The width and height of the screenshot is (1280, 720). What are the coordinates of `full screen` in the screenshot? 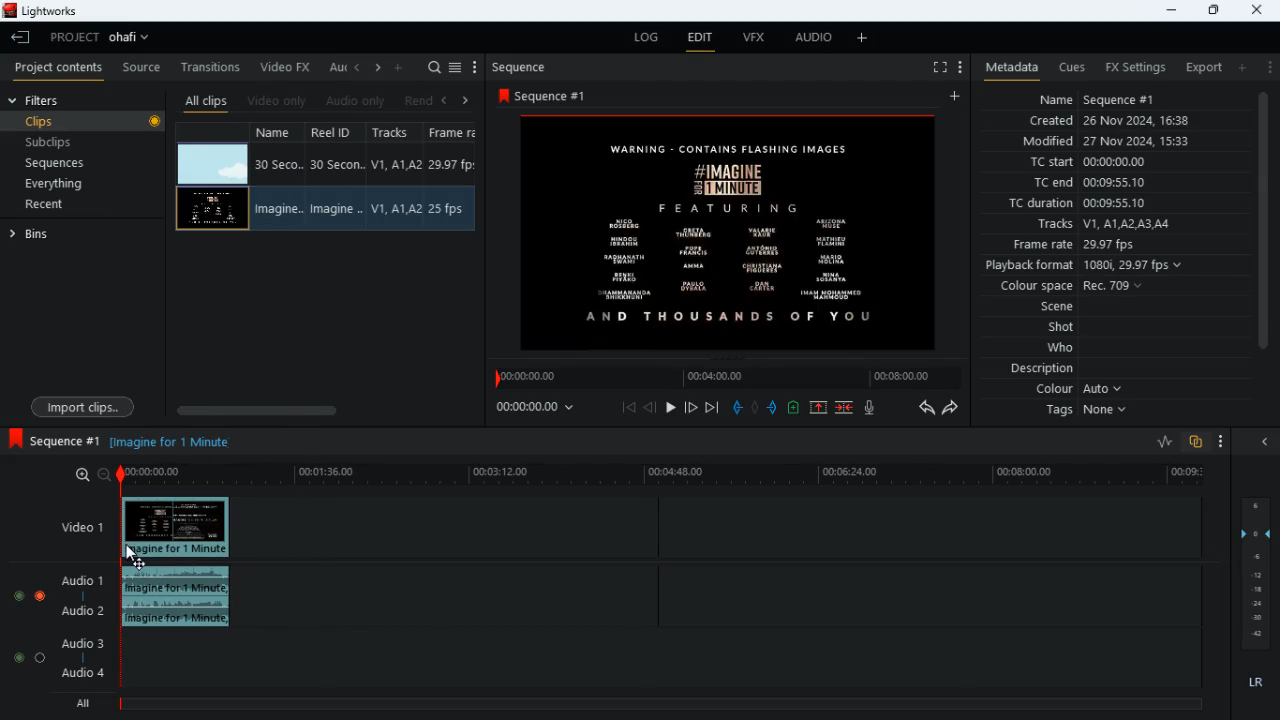 It's located at (932, 68).